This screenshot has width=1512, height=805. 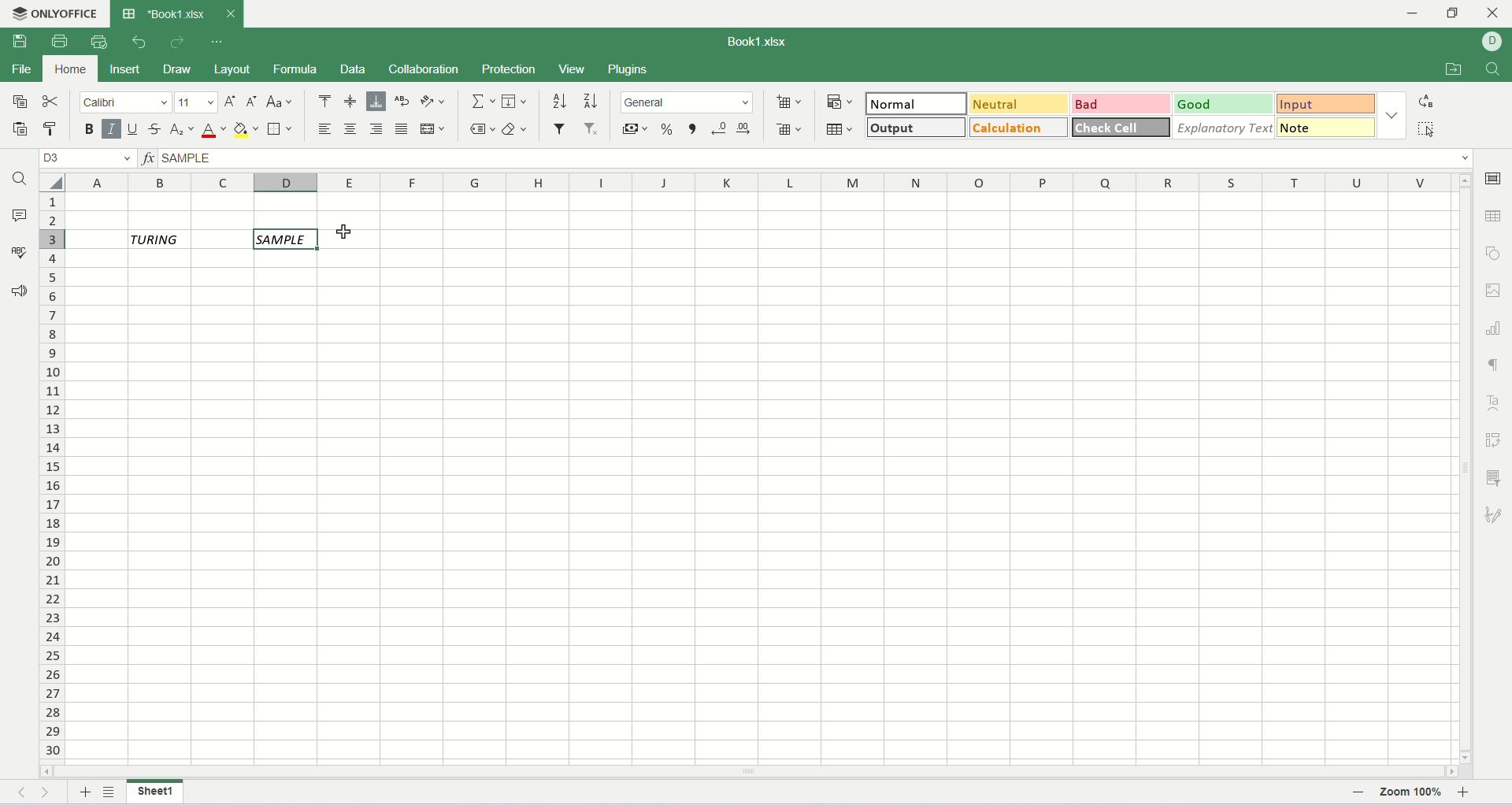 I want to click on feedback and support, so click(x=20, y=295).